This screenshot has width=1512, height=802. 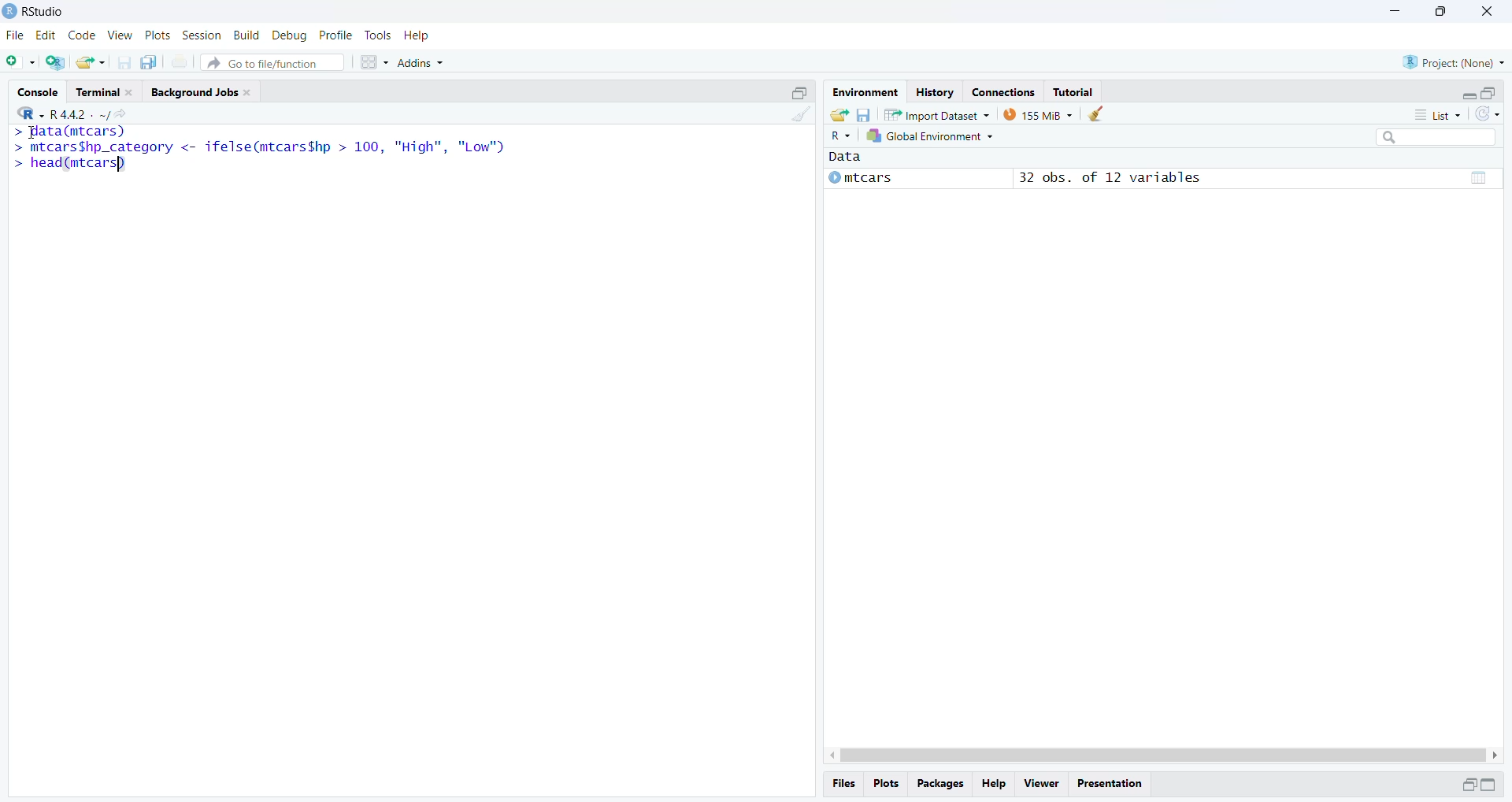 What do you see at coordinates (937, 114) in the screenshot?
I see `Import Dataset` at bounding box center [937, 114].